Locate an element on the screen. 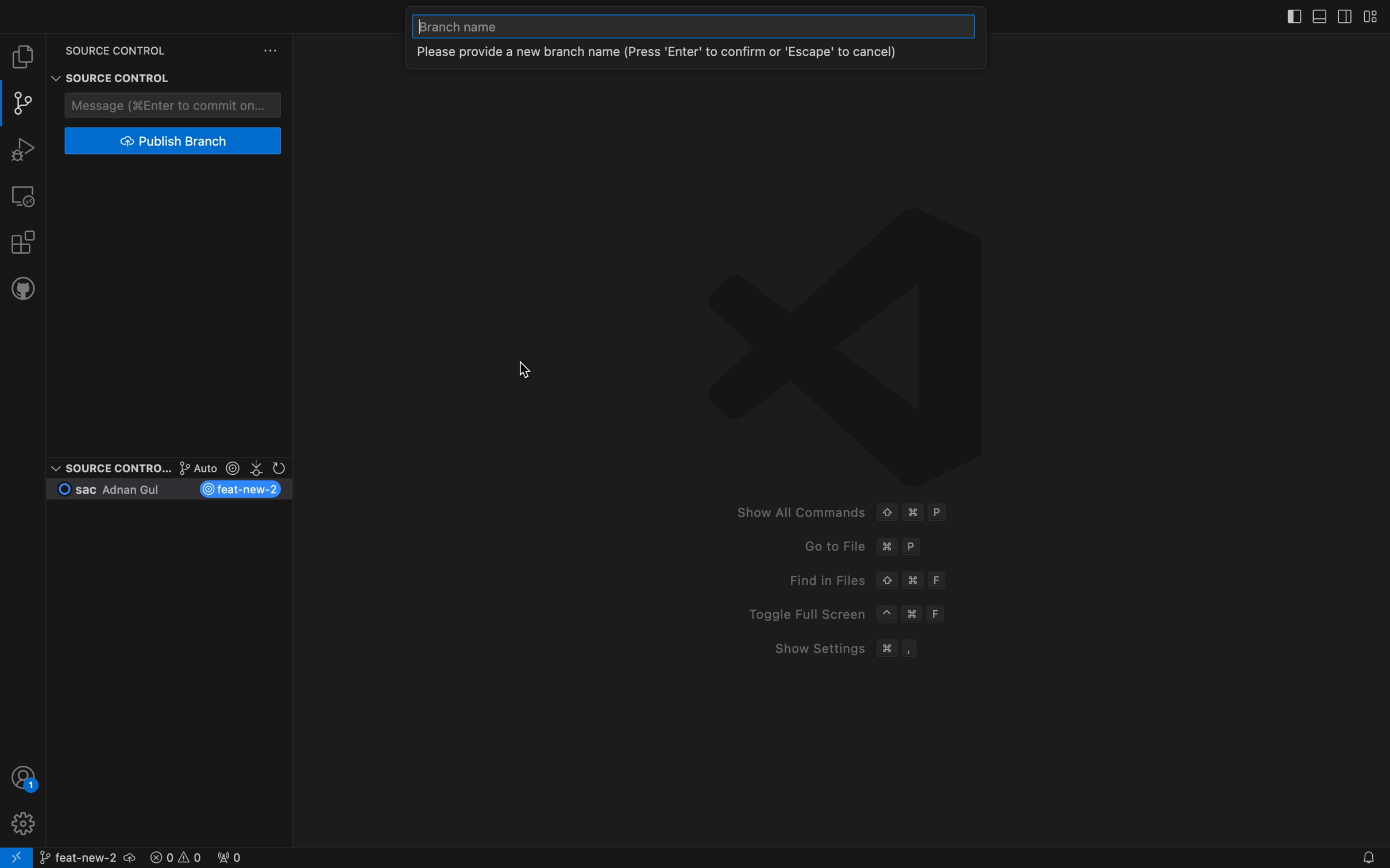 The width and height of the screenshot is (1390, 868). Go to File is located at coordinates (823, 547).